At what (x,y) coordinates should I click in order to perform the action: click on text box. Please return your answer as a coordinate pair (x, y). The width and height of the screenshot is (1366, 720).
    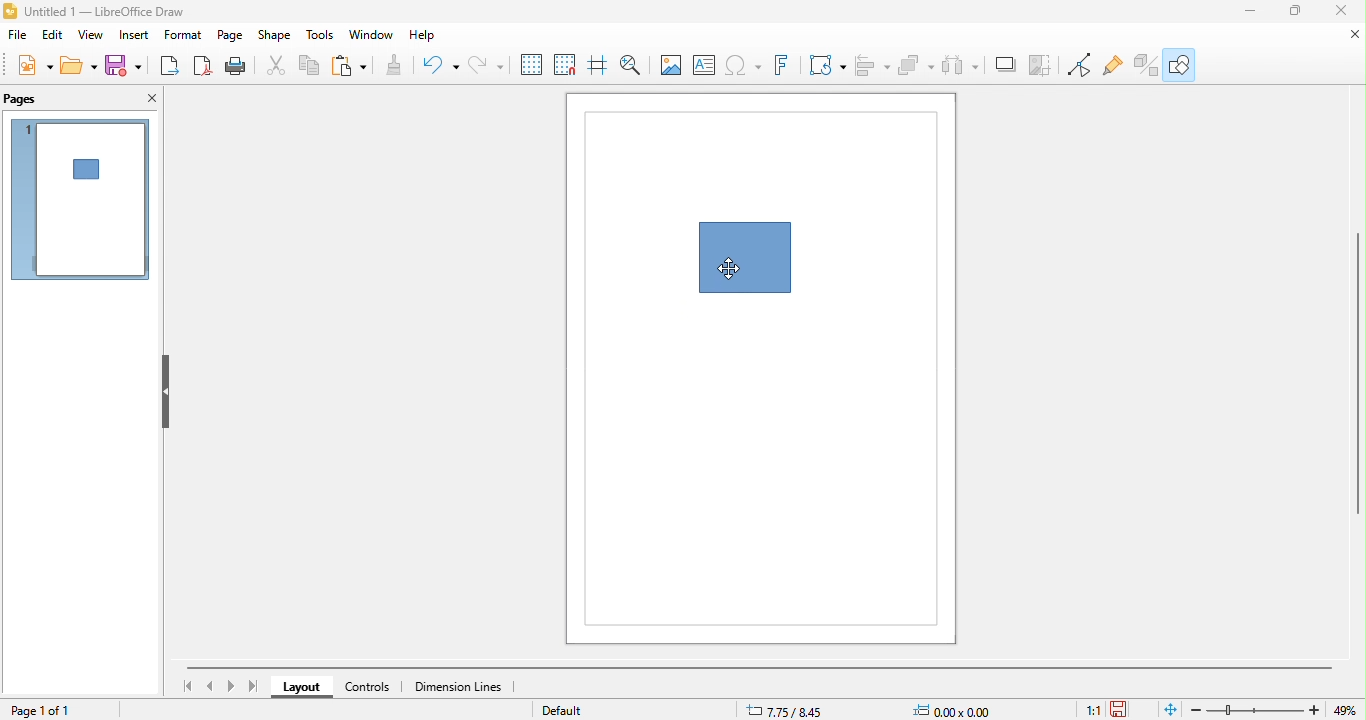
    Looking at the image, I should click on (704, 66).